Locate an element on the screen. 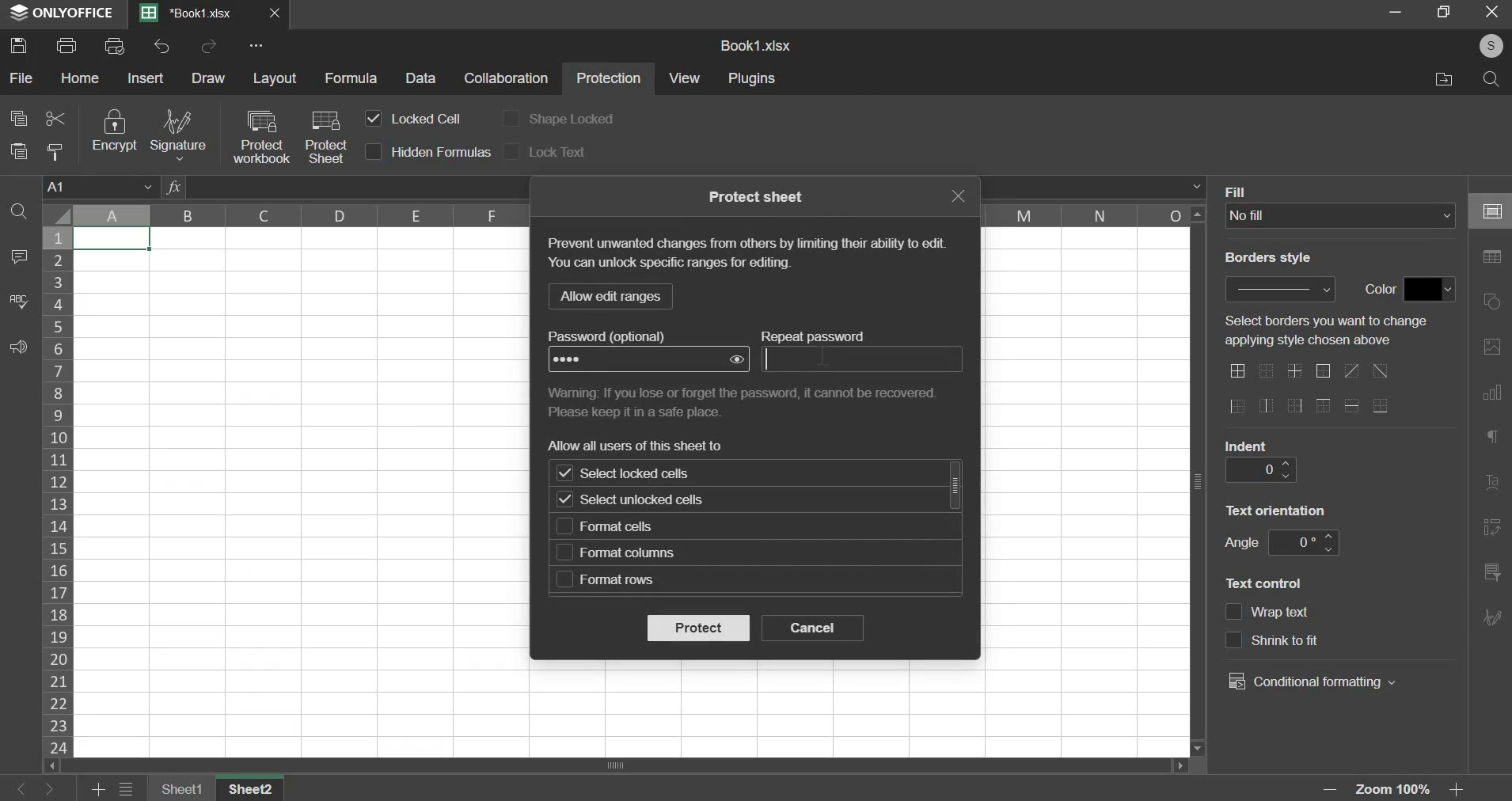 The width and height of the screenshot is (1512, 801). sheet is located at coordinates (255, 788).